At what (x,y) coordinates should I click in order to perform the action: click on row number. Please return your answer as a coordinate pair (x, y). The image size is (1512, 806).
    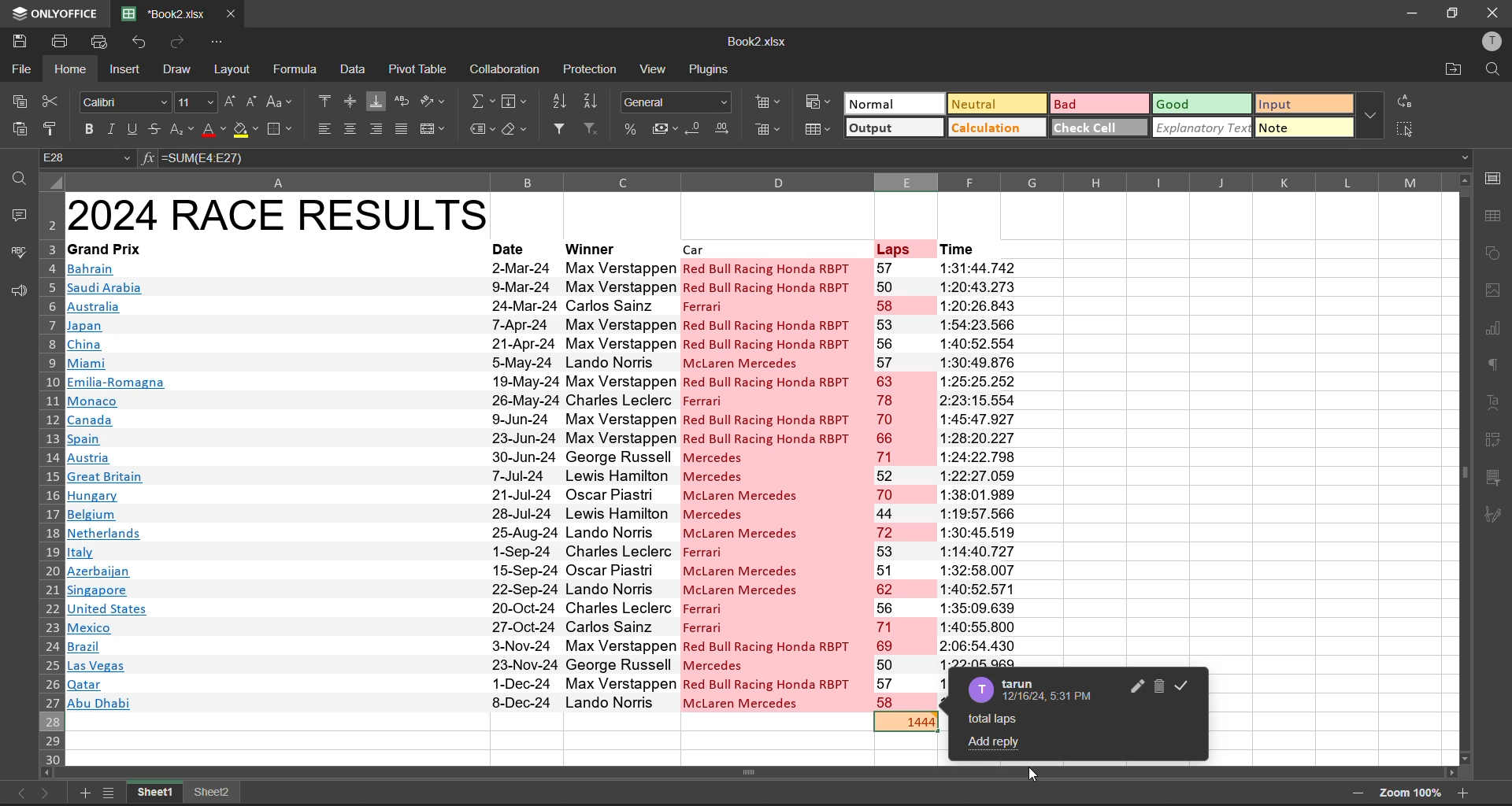
    Looking at the image, I should click on (49, 477).